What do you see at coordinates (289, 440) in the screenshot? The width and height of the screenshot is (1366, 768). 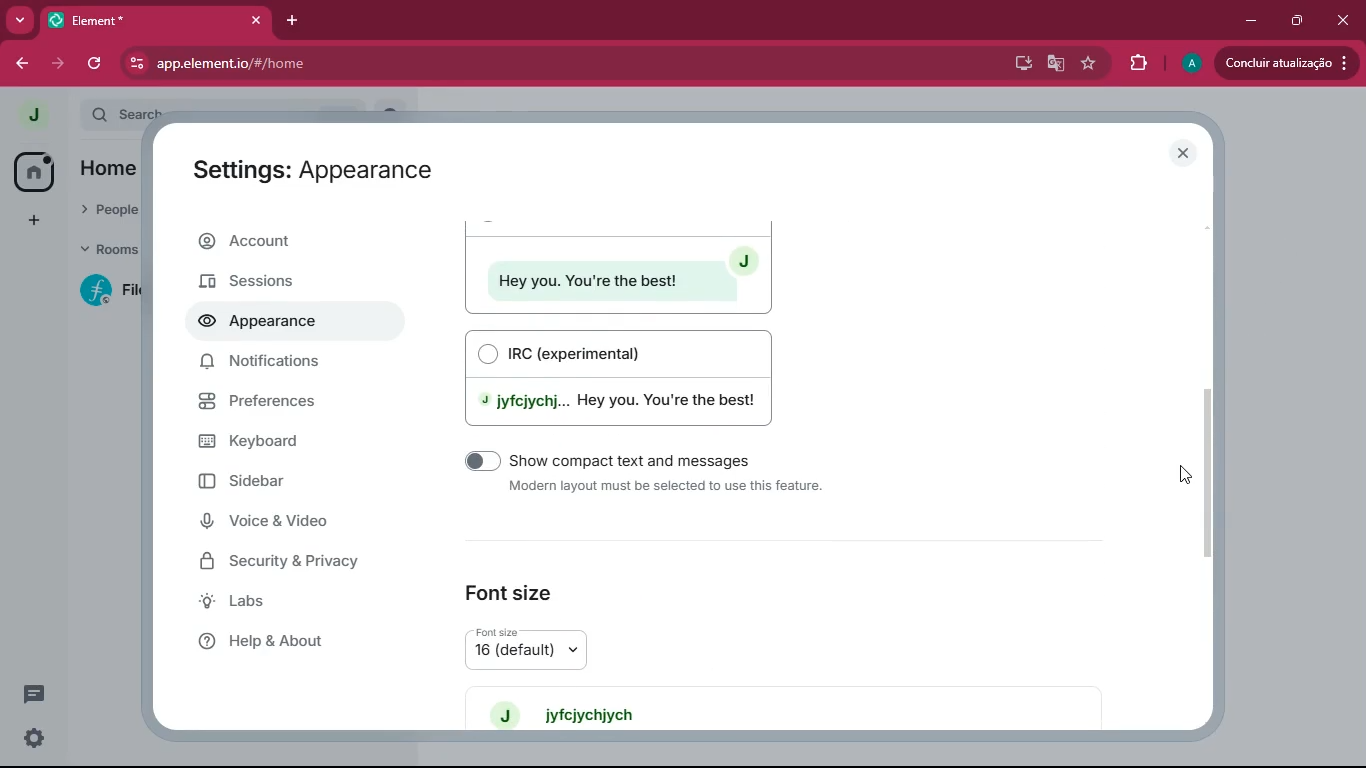 I see `keyboard` at bounding box center [289, 440].